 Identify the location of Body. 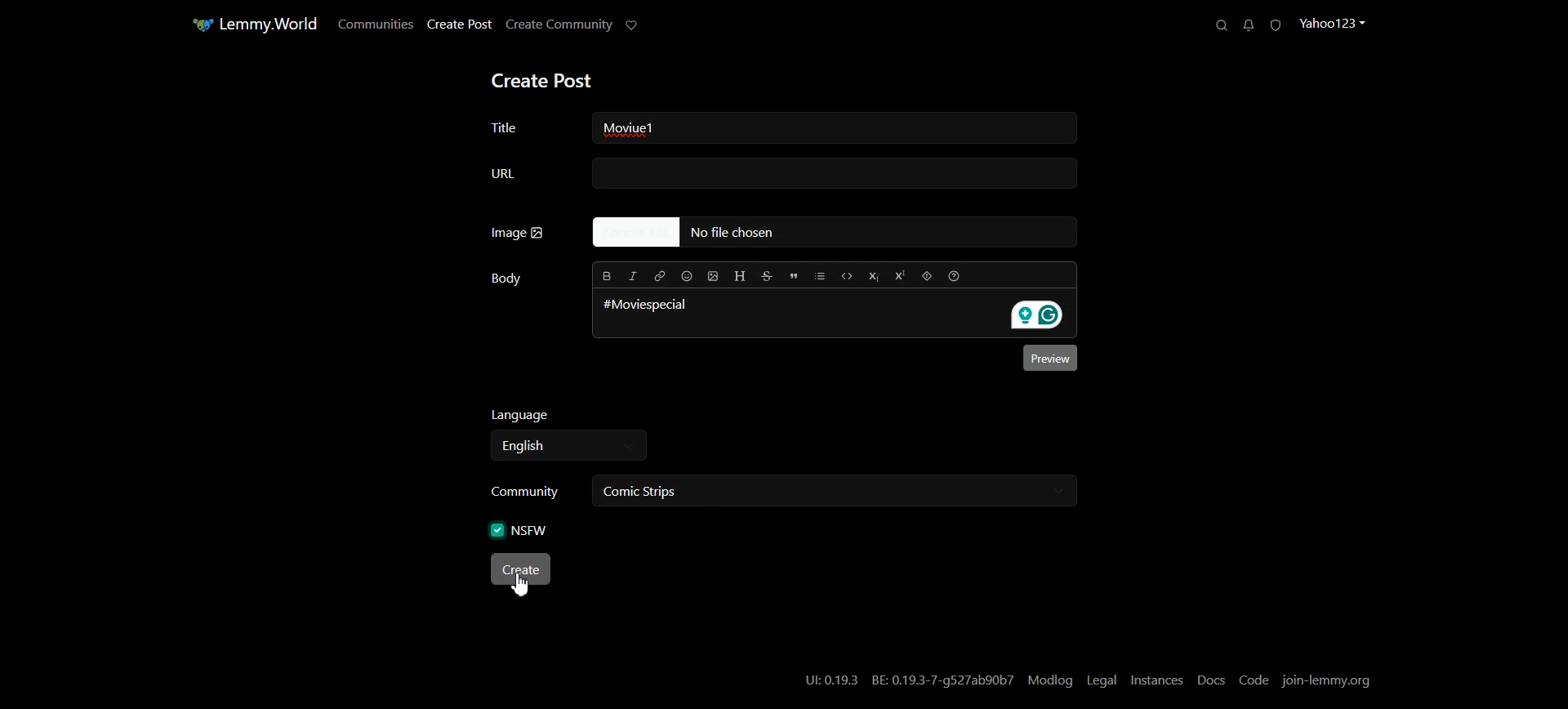
(506, 279).